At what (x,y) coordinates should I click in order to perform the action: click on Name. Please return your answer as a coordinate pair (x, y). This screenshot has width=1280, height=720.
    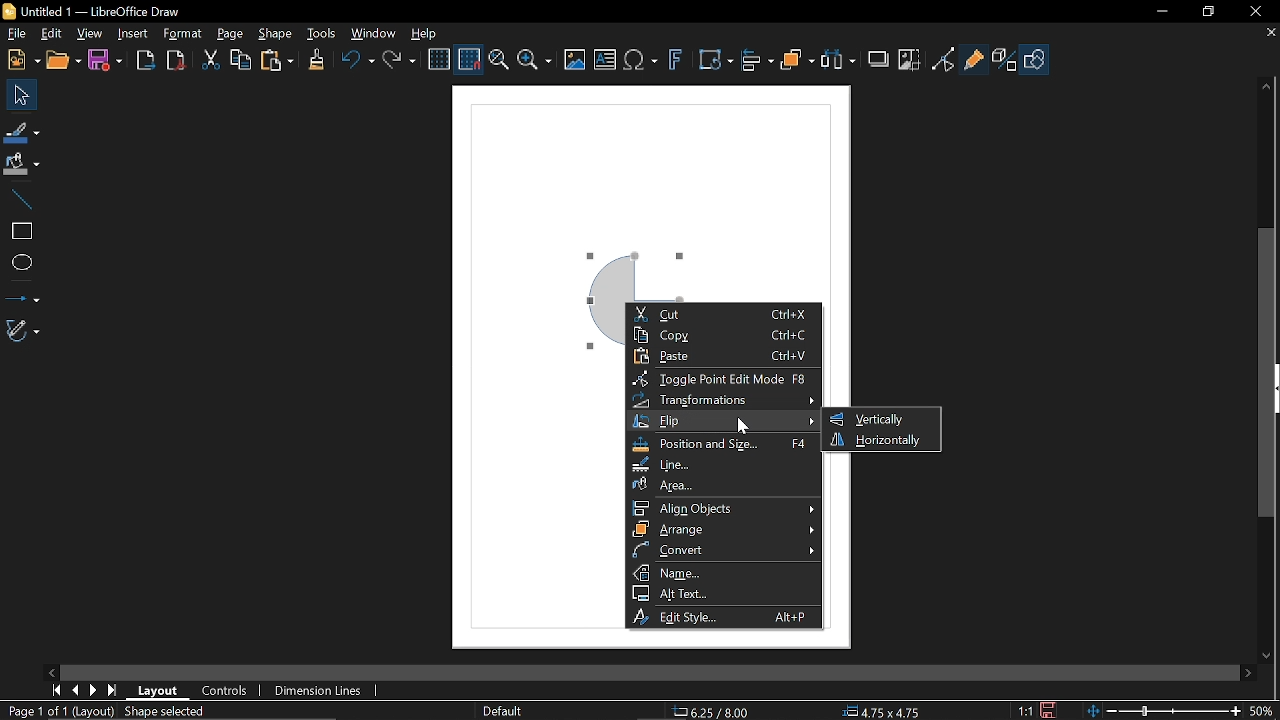
    Looking at the image, I should click on (727, 572).